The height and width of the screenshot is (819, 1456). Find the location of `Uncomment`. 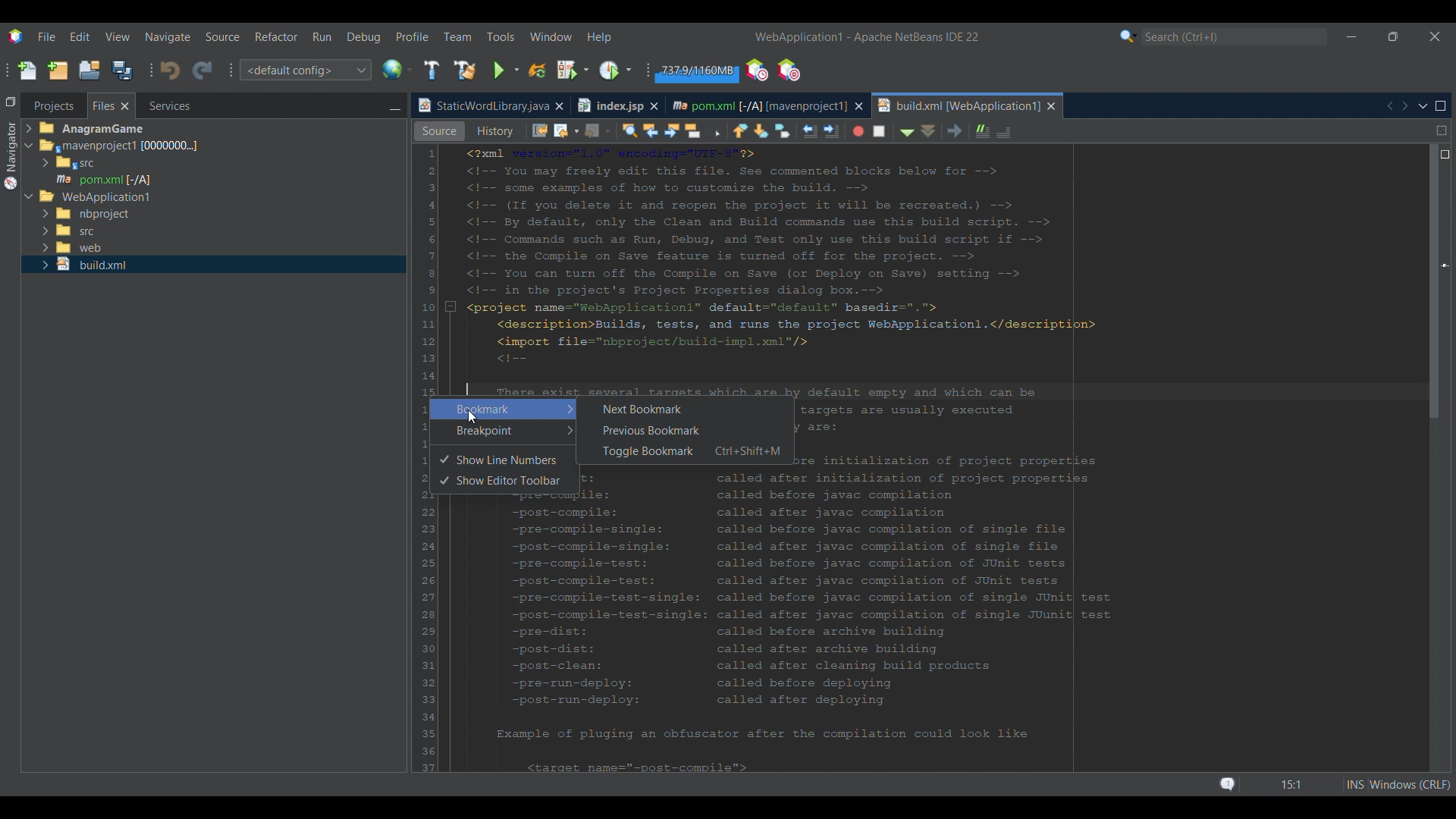

Uncomment is located at coordinates (1146, 130).